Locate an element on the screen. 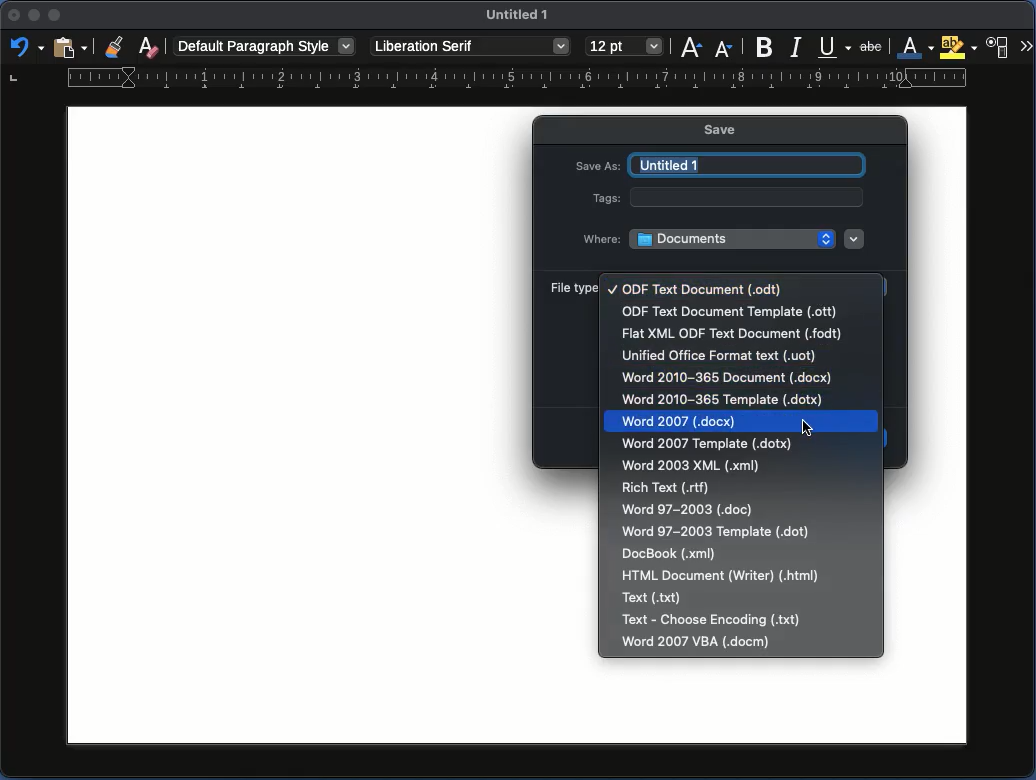 This screenshot has height=780, width=1036. Page is located at coordinates (283, 422).